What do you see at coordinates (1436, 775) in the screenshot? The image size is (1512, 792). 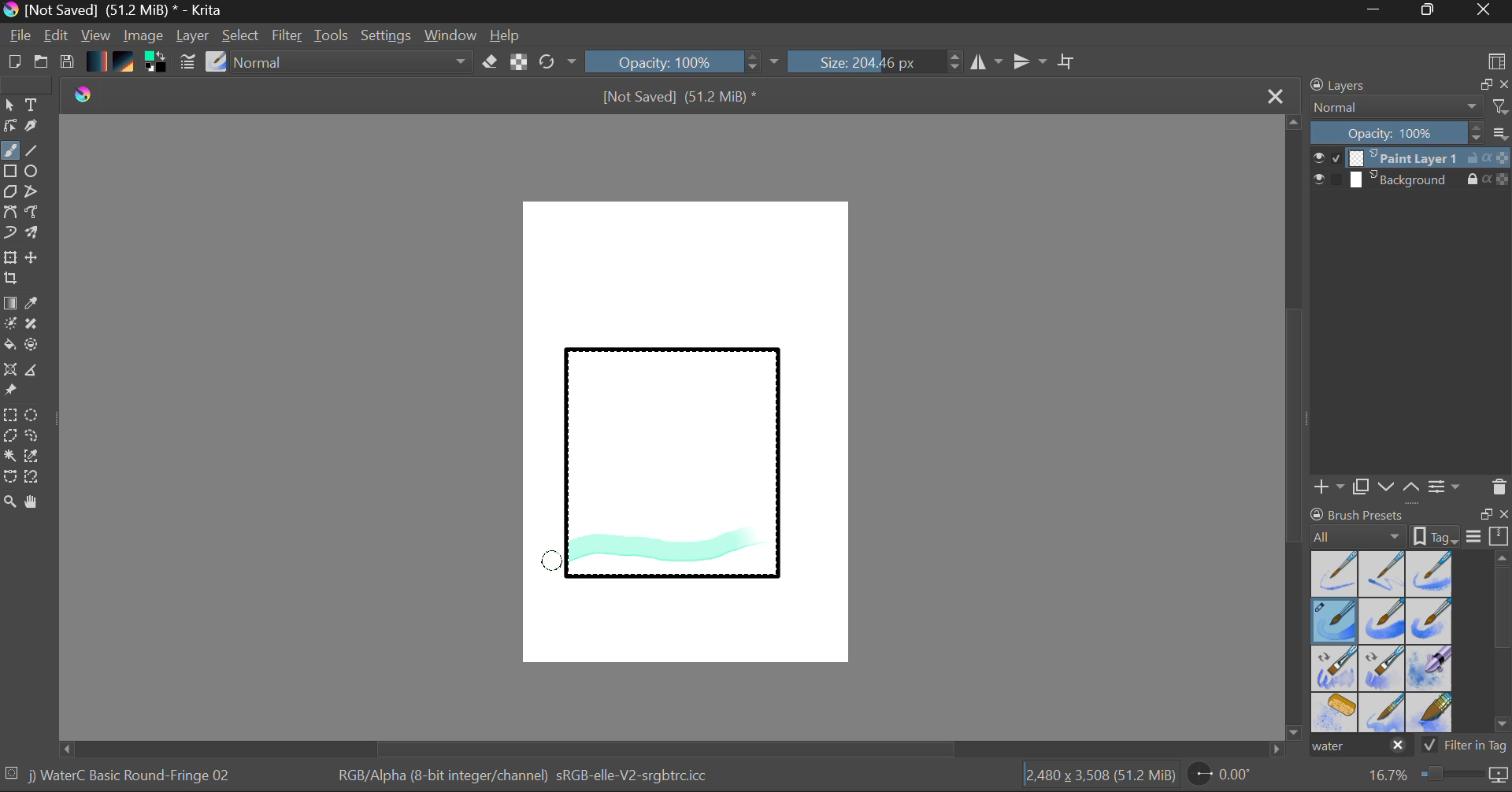 I see `Zoom` at bounding box center [1436, 775].